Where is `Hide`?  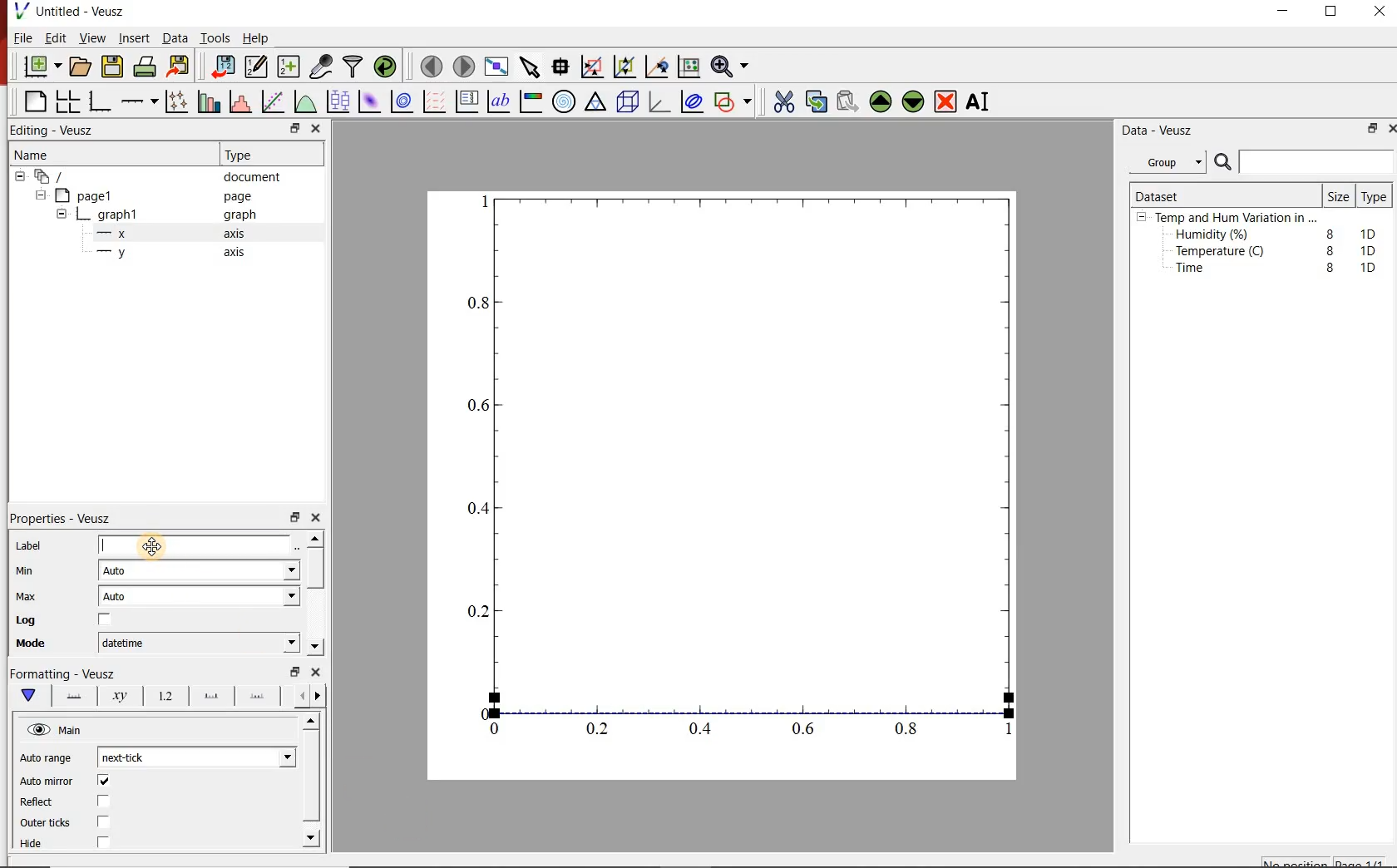 Hide is located at coordinates (86, 842).